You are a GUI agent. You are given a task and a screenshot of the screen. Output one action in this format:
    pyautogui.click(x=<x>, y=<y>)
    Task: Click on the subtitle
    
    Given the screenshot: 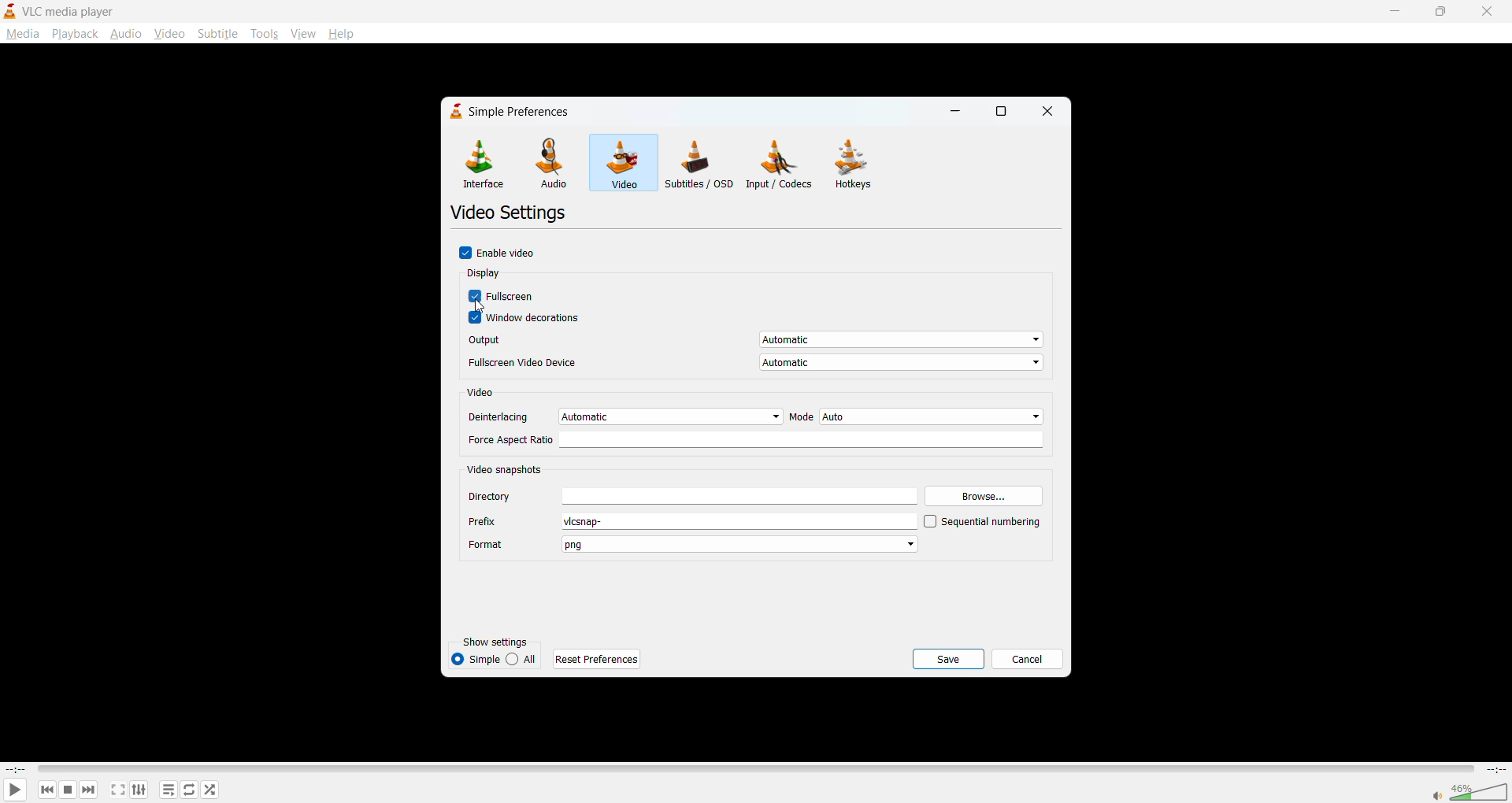 What is the action you would take?
    pyautogui.click(x=217, y=34)
    